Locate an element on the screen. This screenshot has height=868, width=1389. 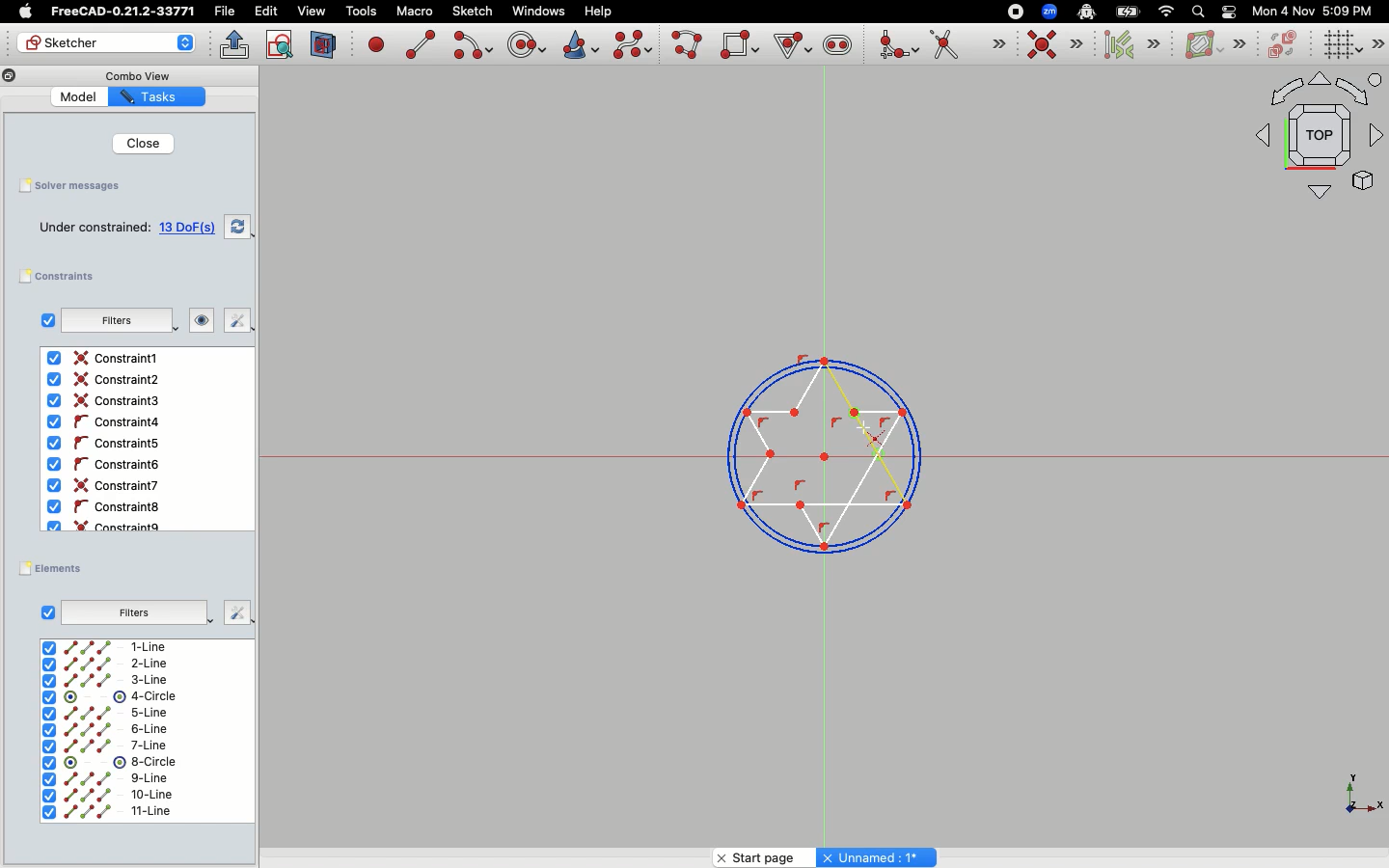
4-Circle is located at coordinates (111, 697).